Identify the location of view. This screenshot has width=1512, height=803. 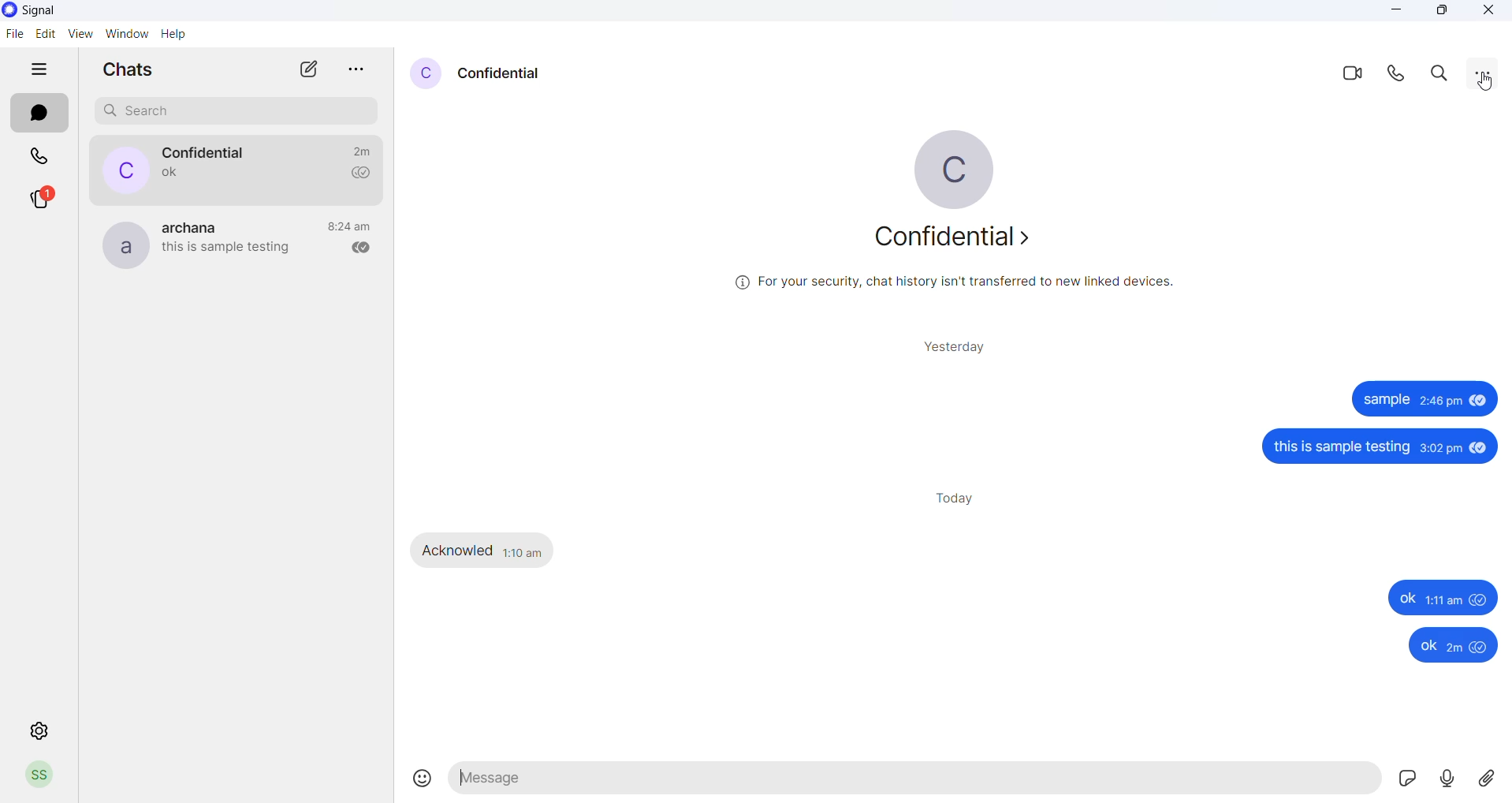
(80, 33).